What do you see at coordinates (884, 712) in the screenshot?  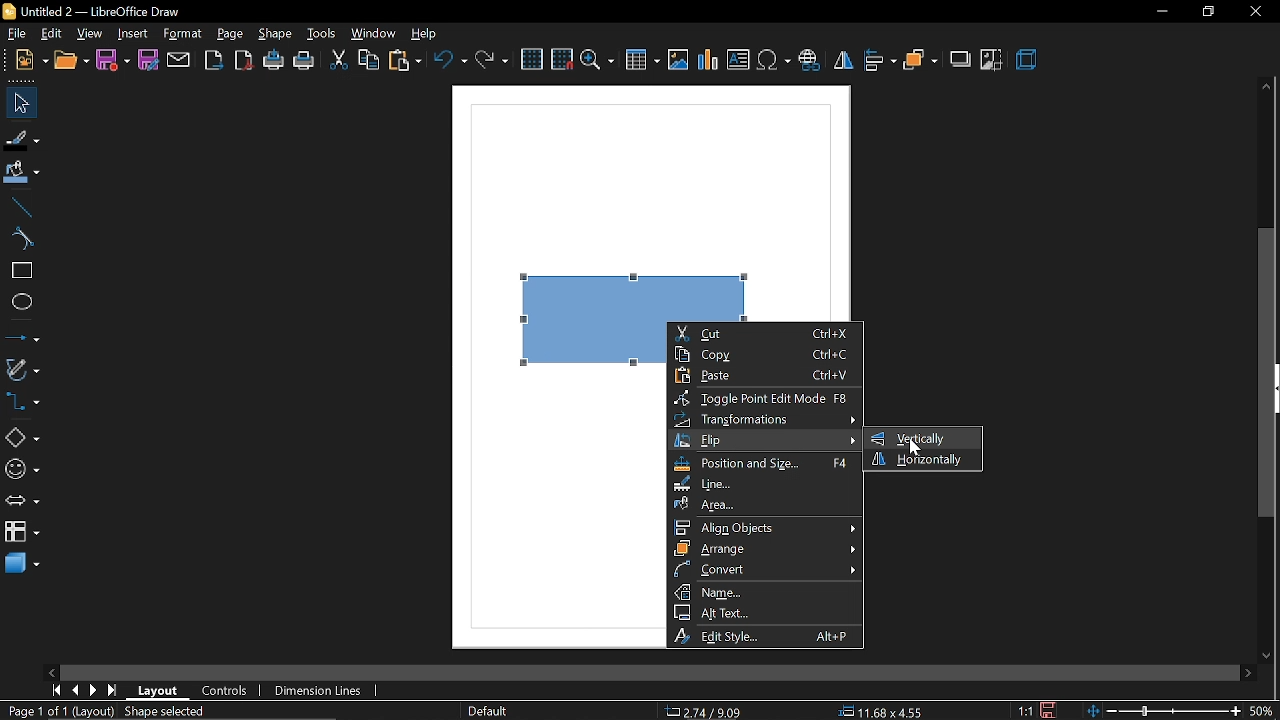 I see `11.68x4.55` at bounding box center [884, 712].